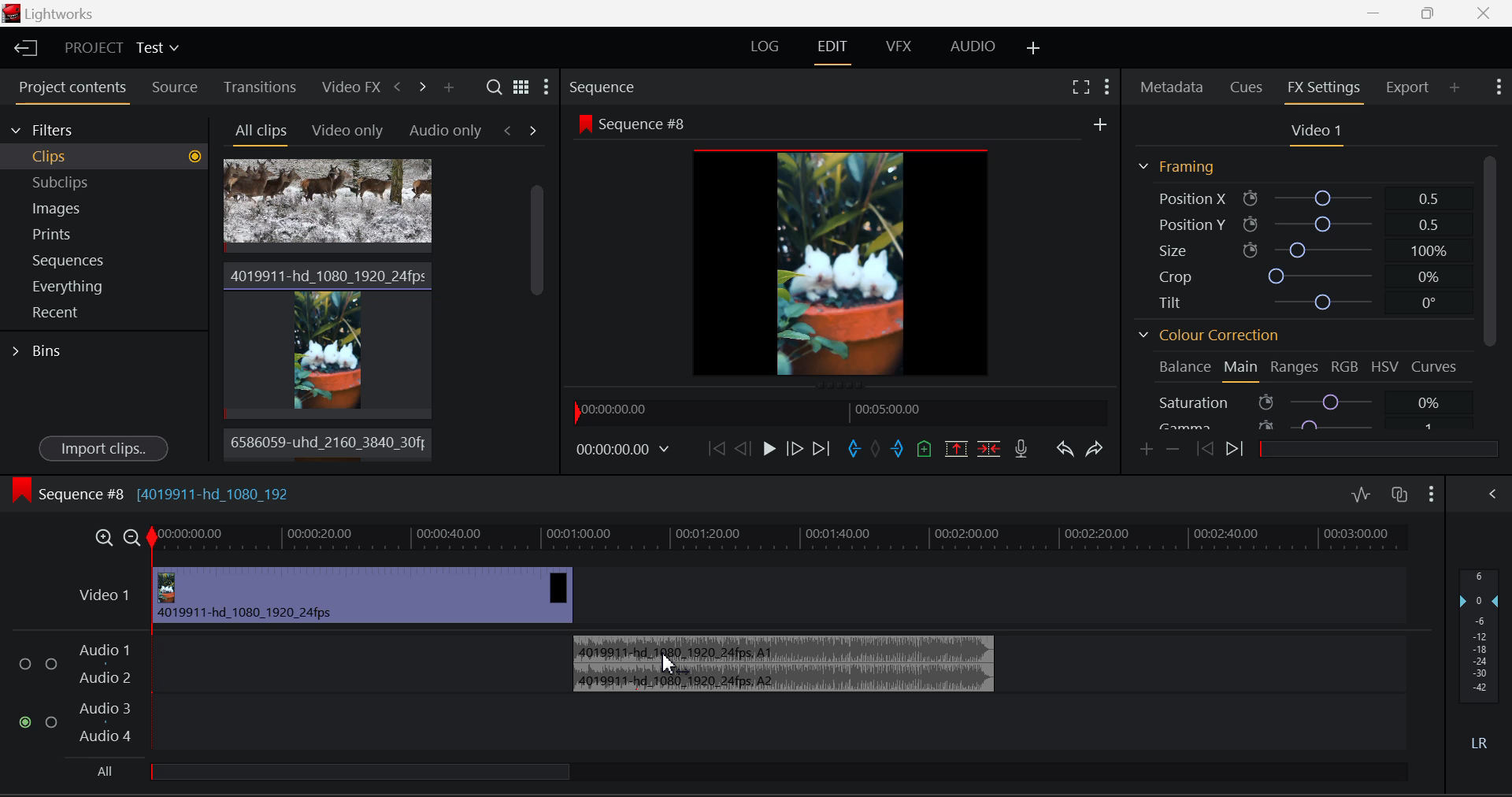  Describe the element at coordinates (988, 450) in the screenshot. I see `Delete/Cut` at that location.